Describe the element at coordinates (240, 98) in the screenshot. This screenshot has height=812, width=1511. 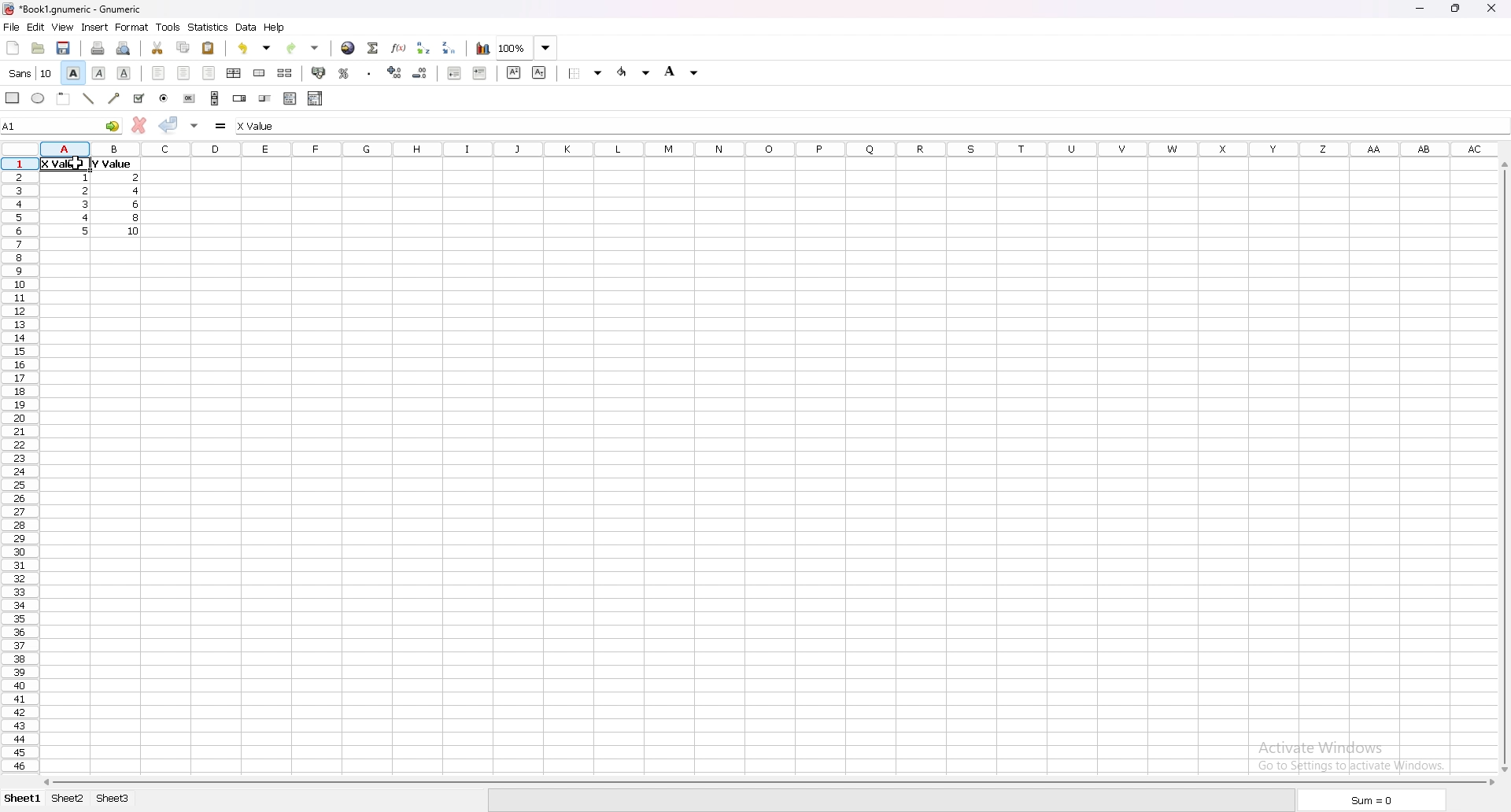
I see `spin button` at that location.